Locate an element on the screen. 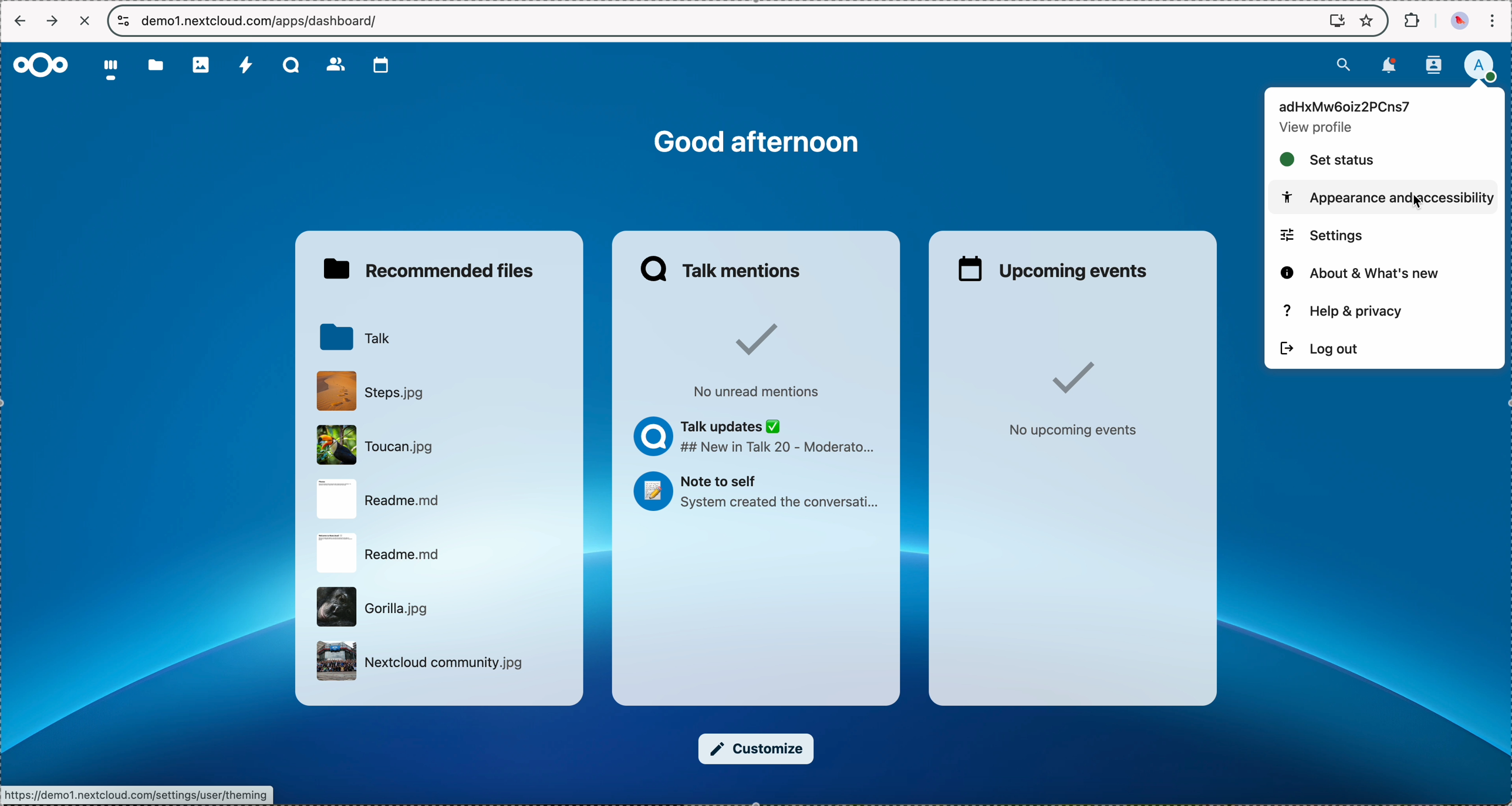 This screenshot has width=1512, height=806. no upcoming events is located at coordinates (1072, 398).